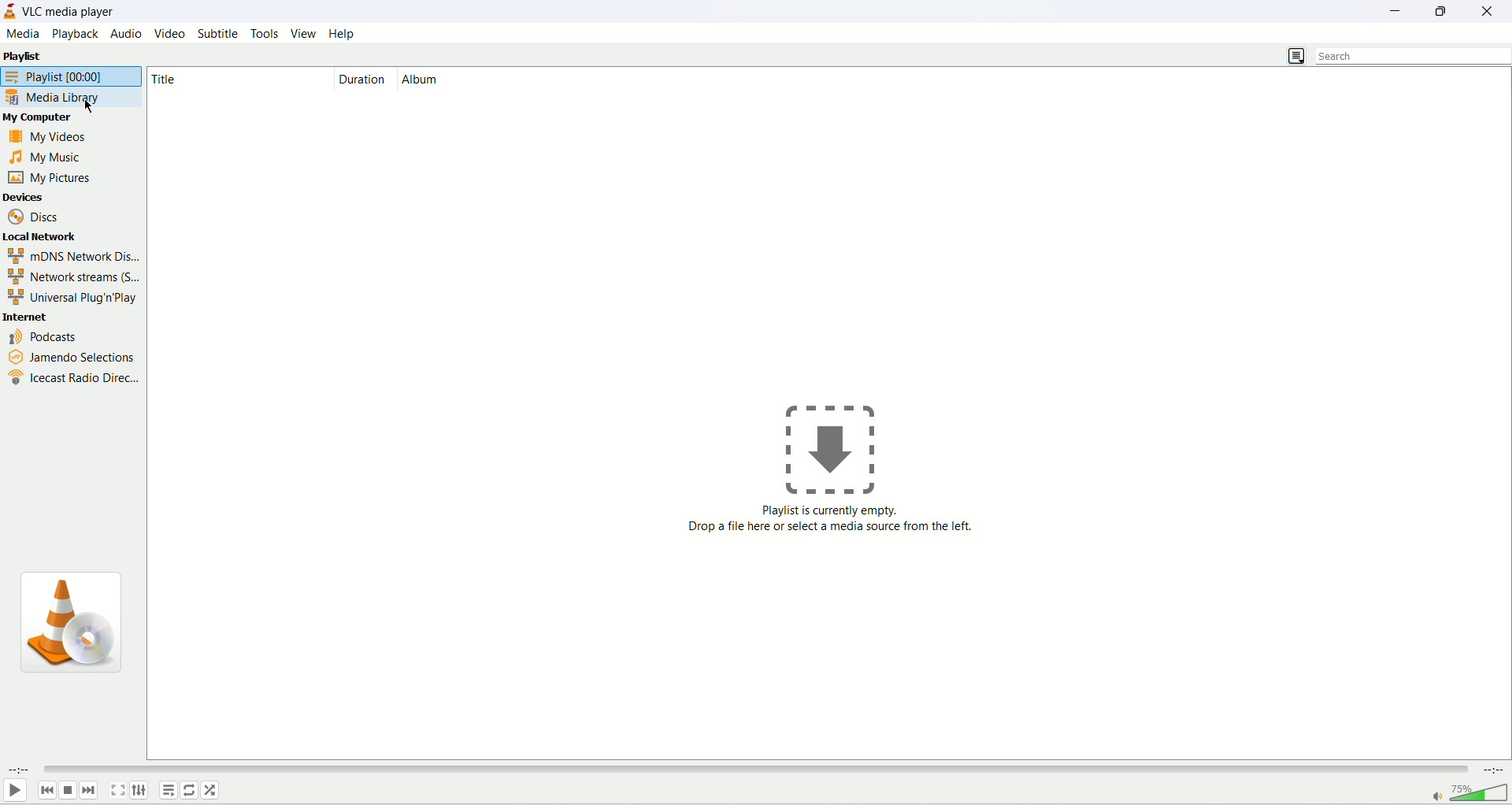  I want to click on play, so click(14, 792).